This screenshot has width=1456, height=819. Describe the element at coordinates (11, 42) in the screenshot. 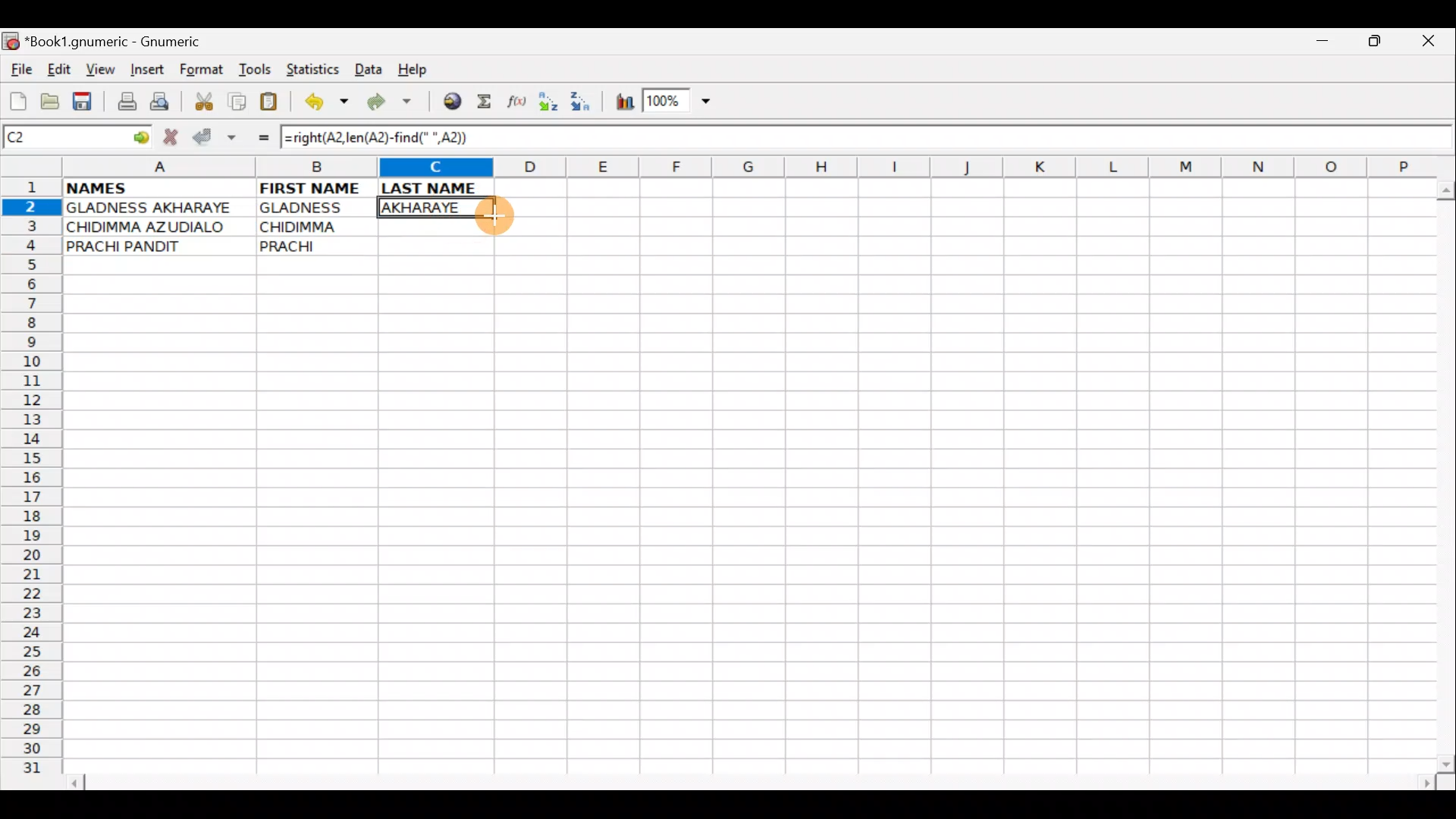

I see `Gnumeric logo` at that location.